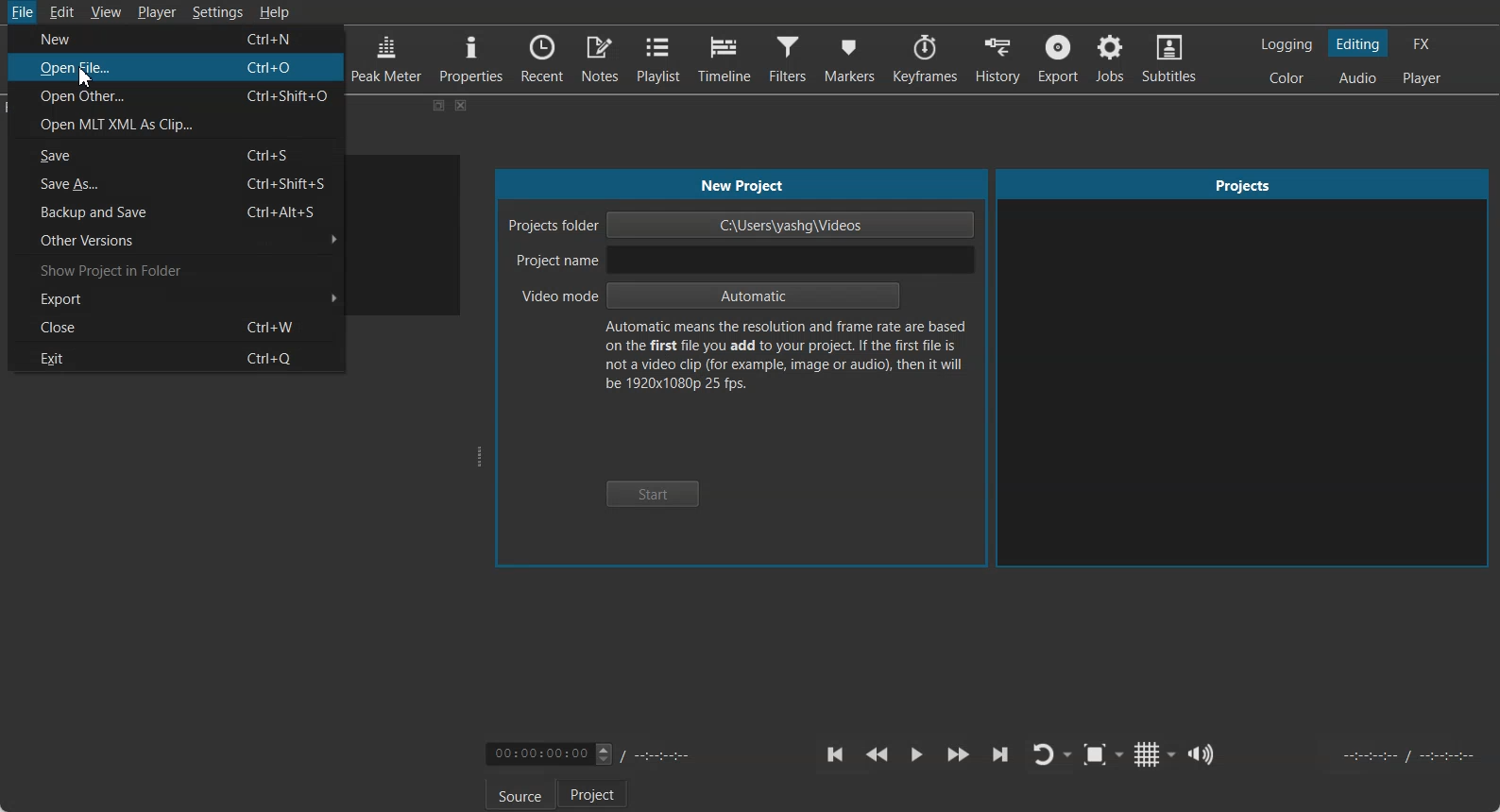 This screenshot has width=1500, height=812. I want to click on Open MLT XML As Clip, so click(178, 124).